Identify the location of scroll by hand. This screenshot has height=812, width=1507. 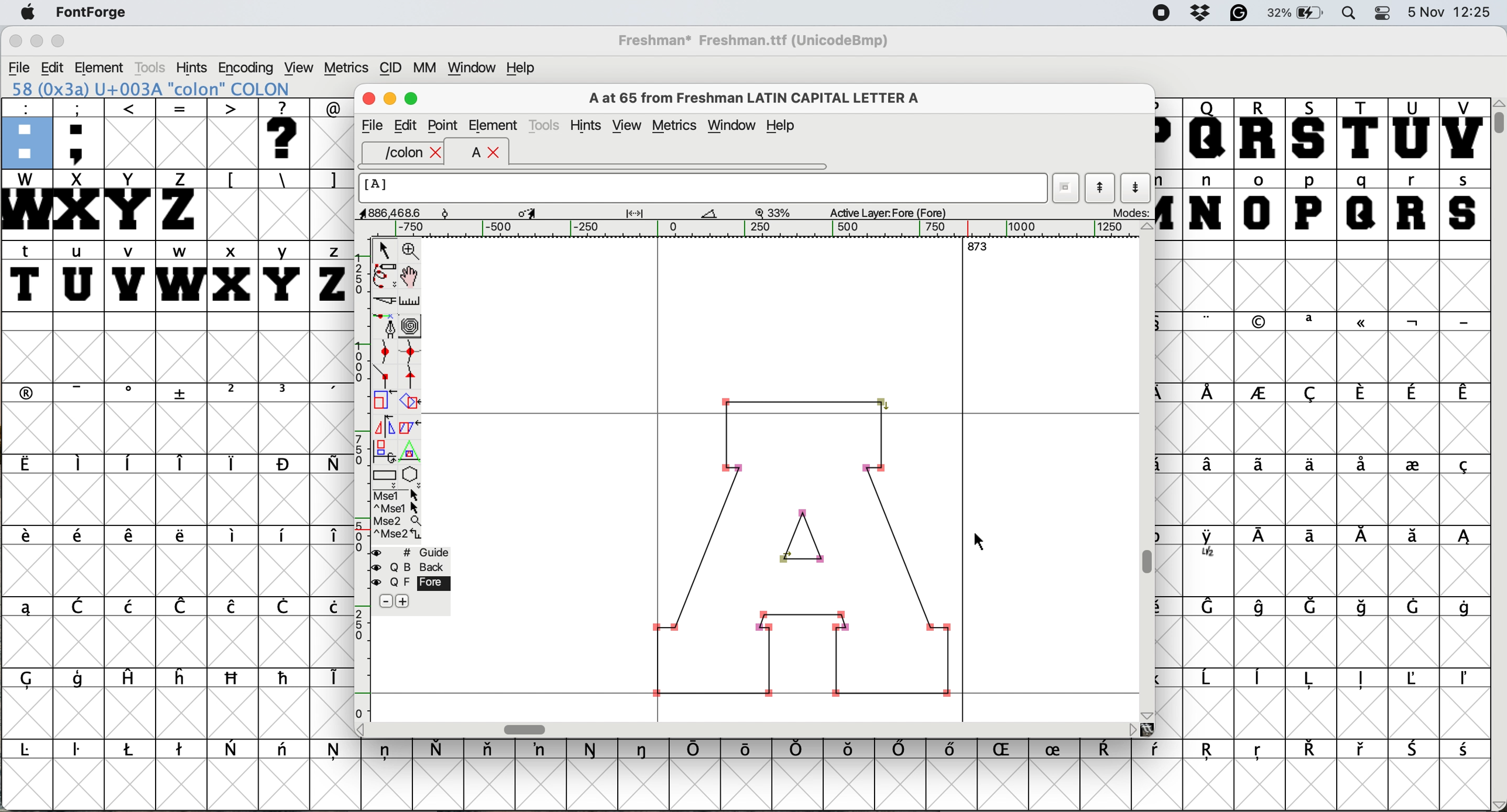
(413, 273).